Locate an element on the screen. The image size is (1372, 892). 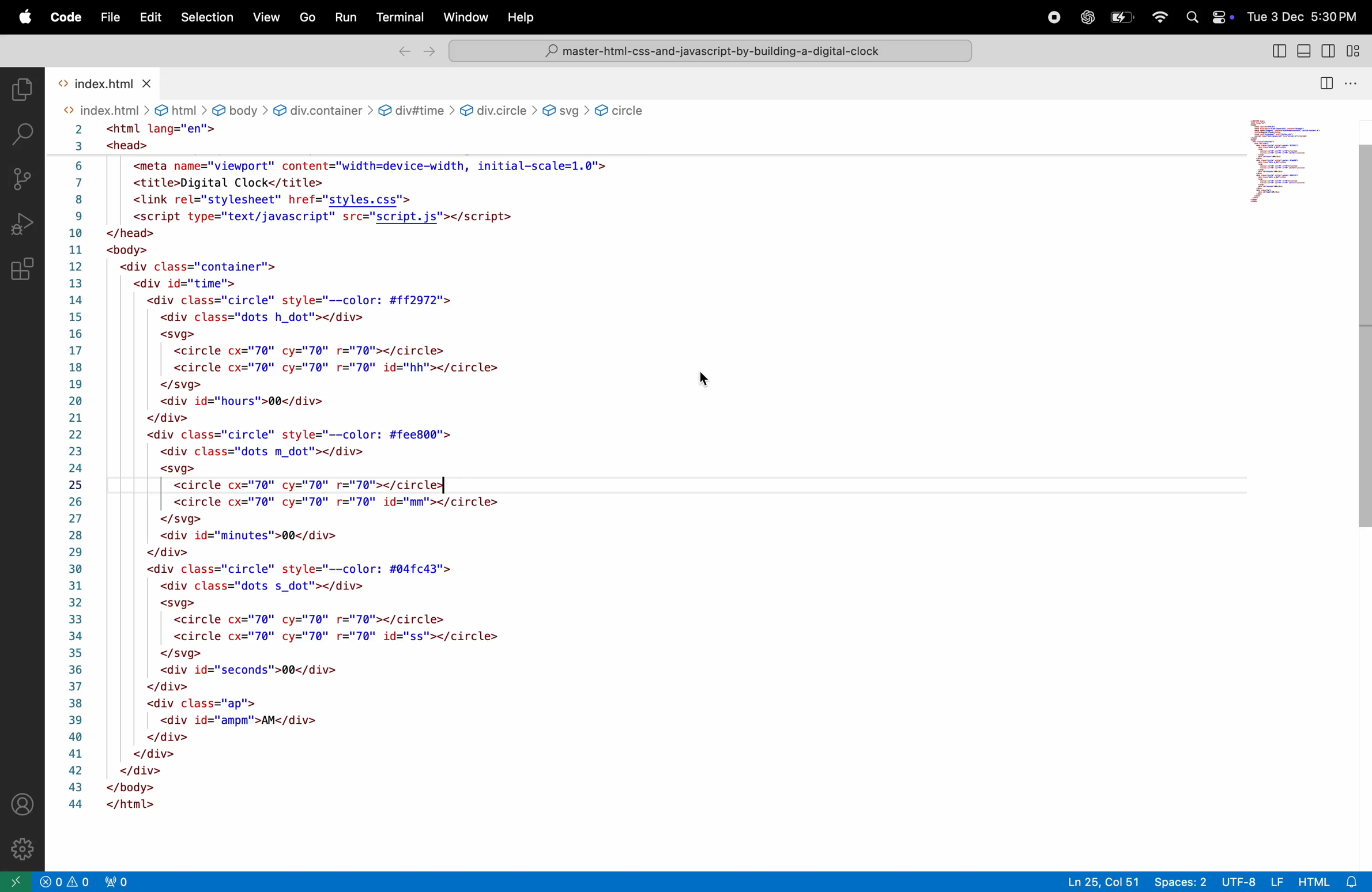
code block is located at coordinates (422, 458).